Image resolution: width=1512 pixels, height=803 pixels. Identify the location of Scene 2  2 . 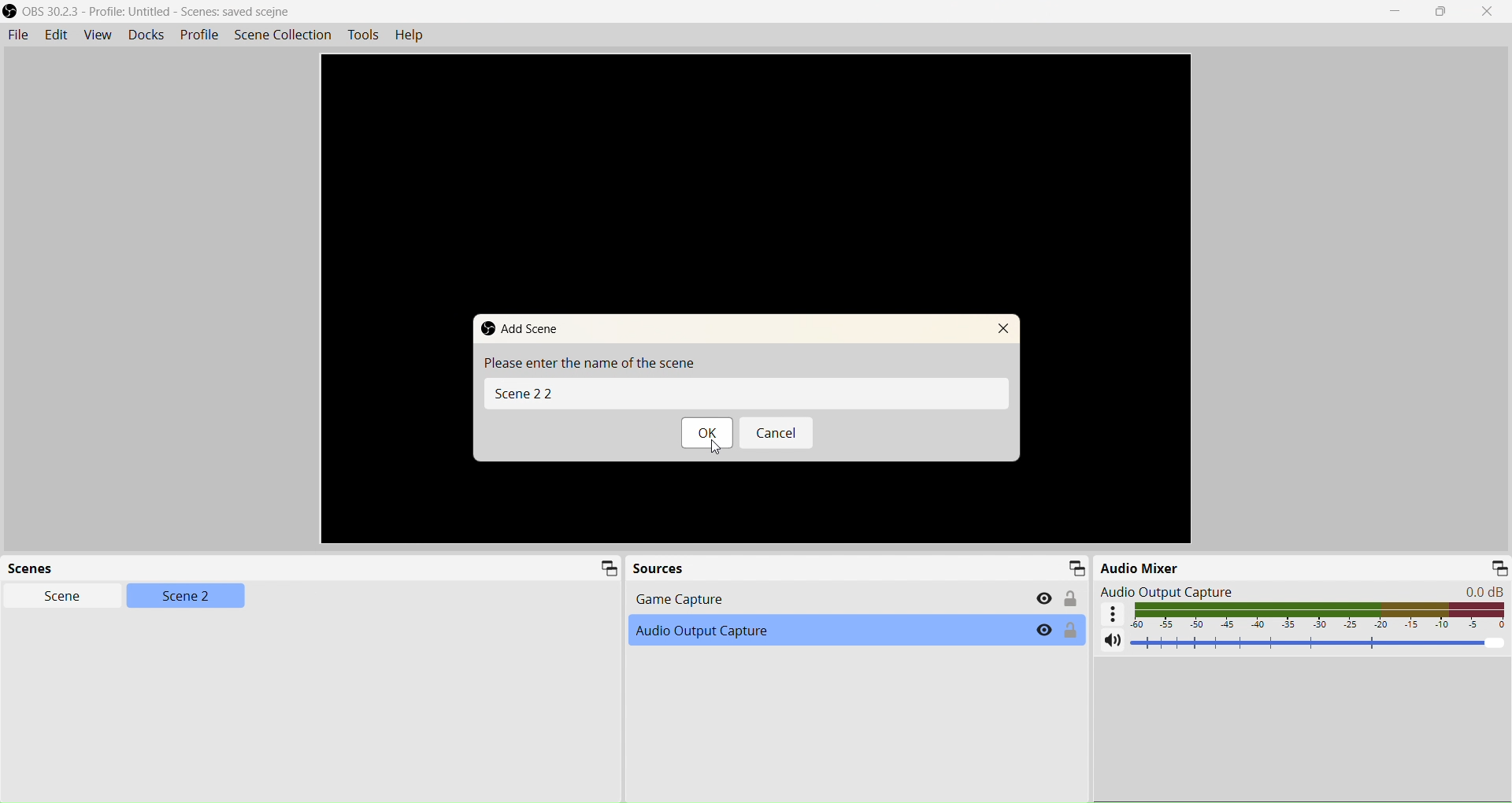
(746, 394).